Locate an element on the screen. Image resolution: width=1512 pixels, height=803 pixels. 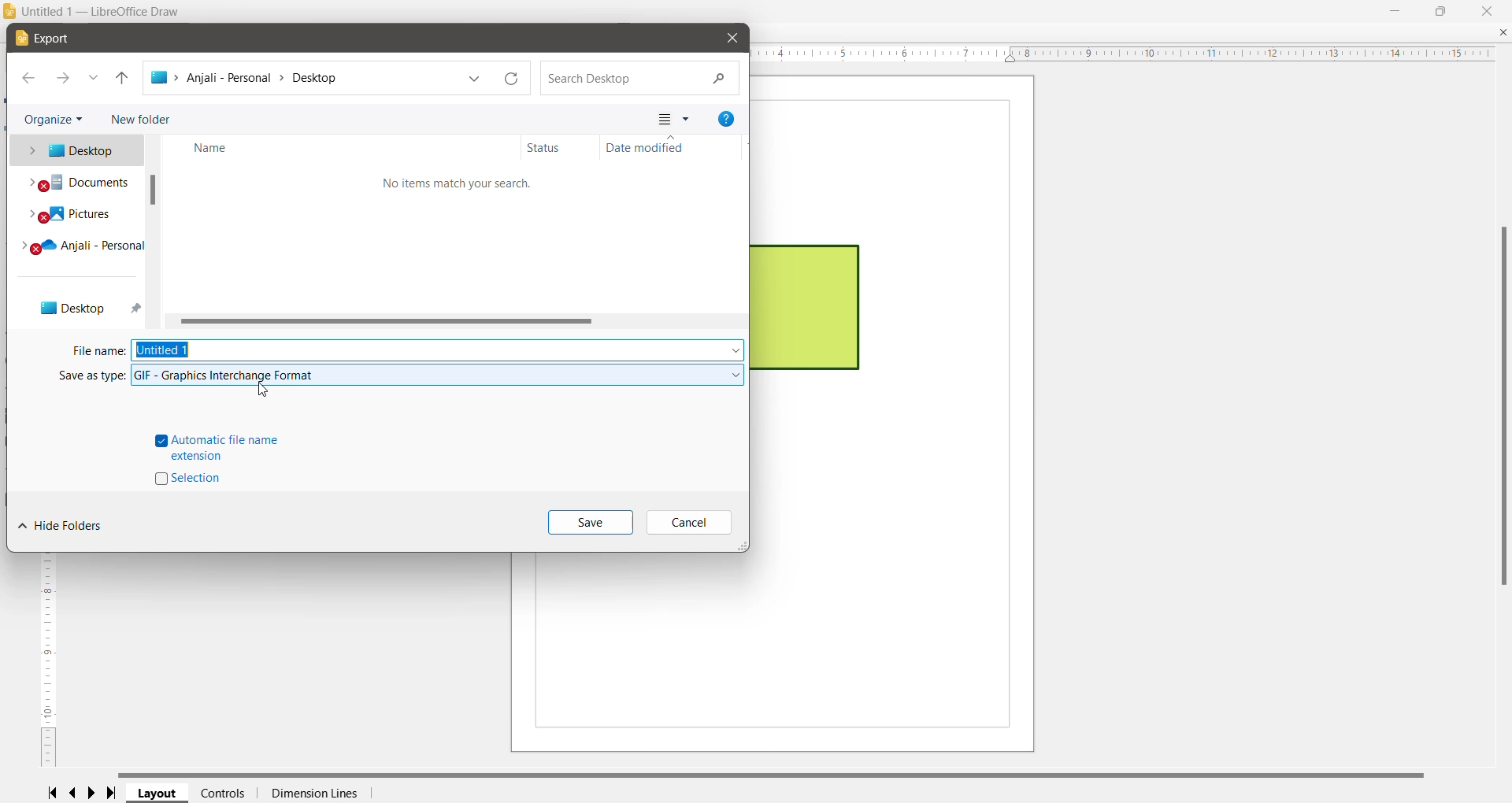
Scroll to first page is located at coordinates (51, 792).